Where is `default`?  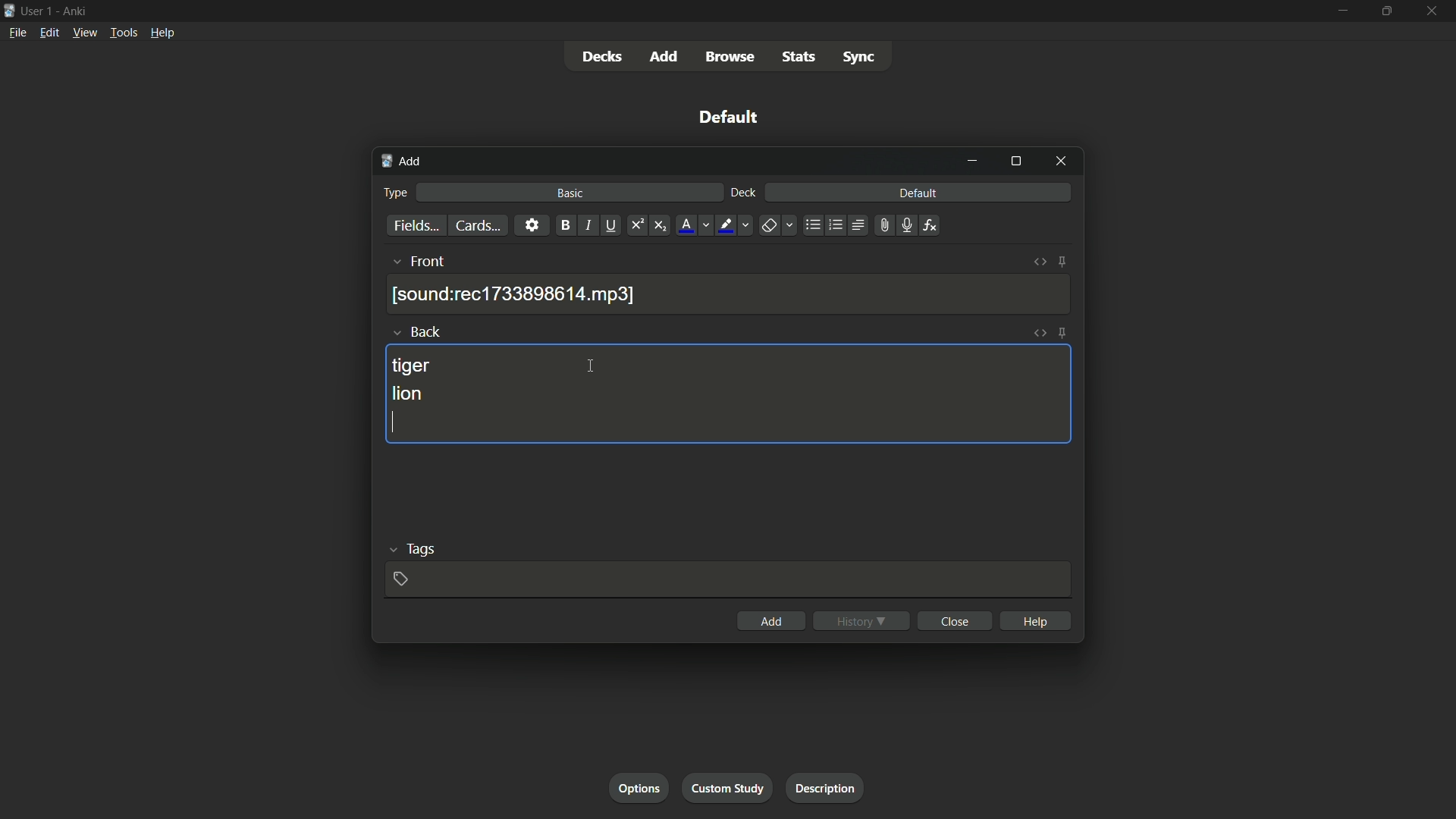 default is located at coordinates (918, 193).